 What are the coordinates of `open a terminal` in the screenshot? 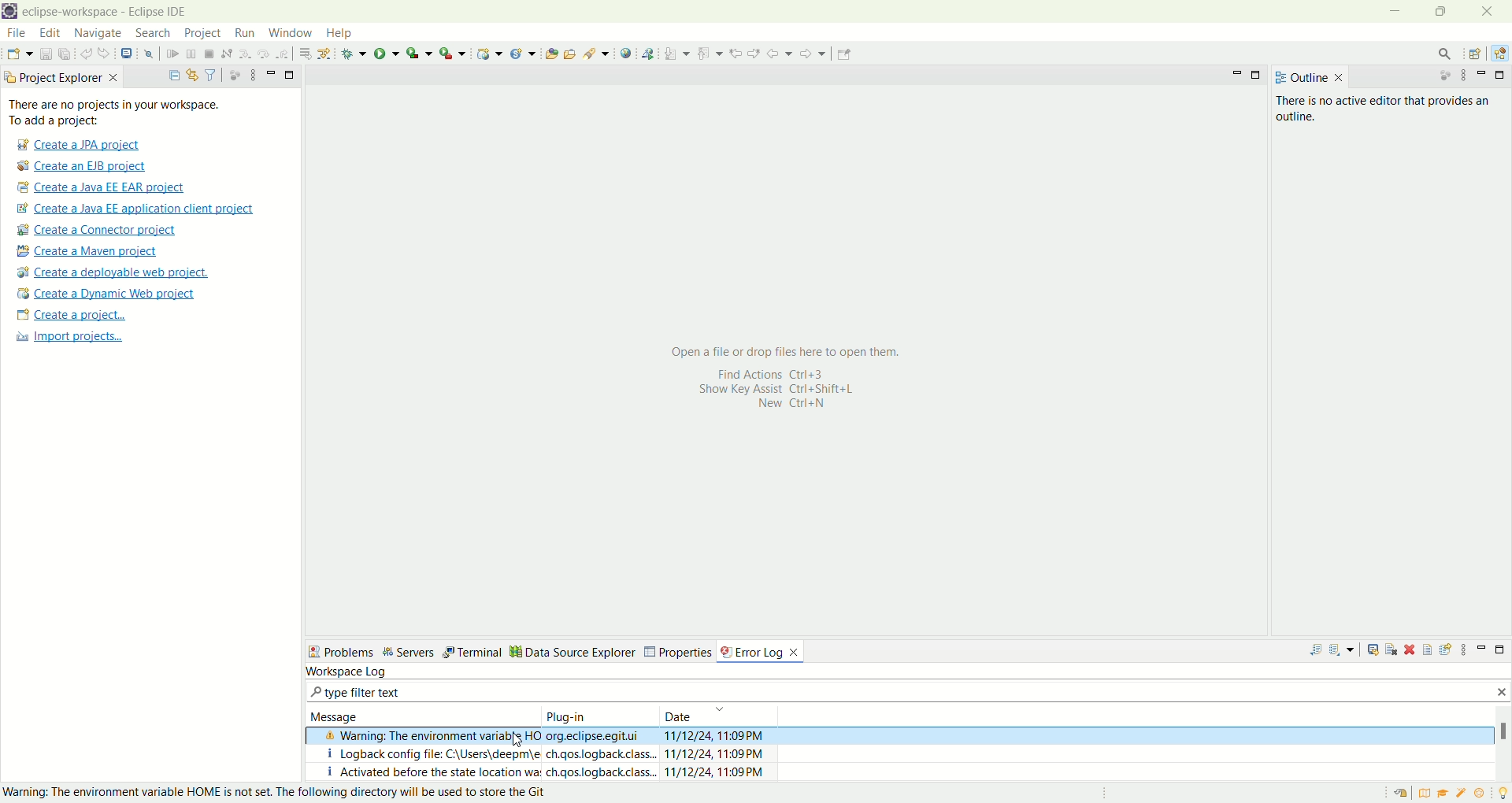 It's located at (126, 54).